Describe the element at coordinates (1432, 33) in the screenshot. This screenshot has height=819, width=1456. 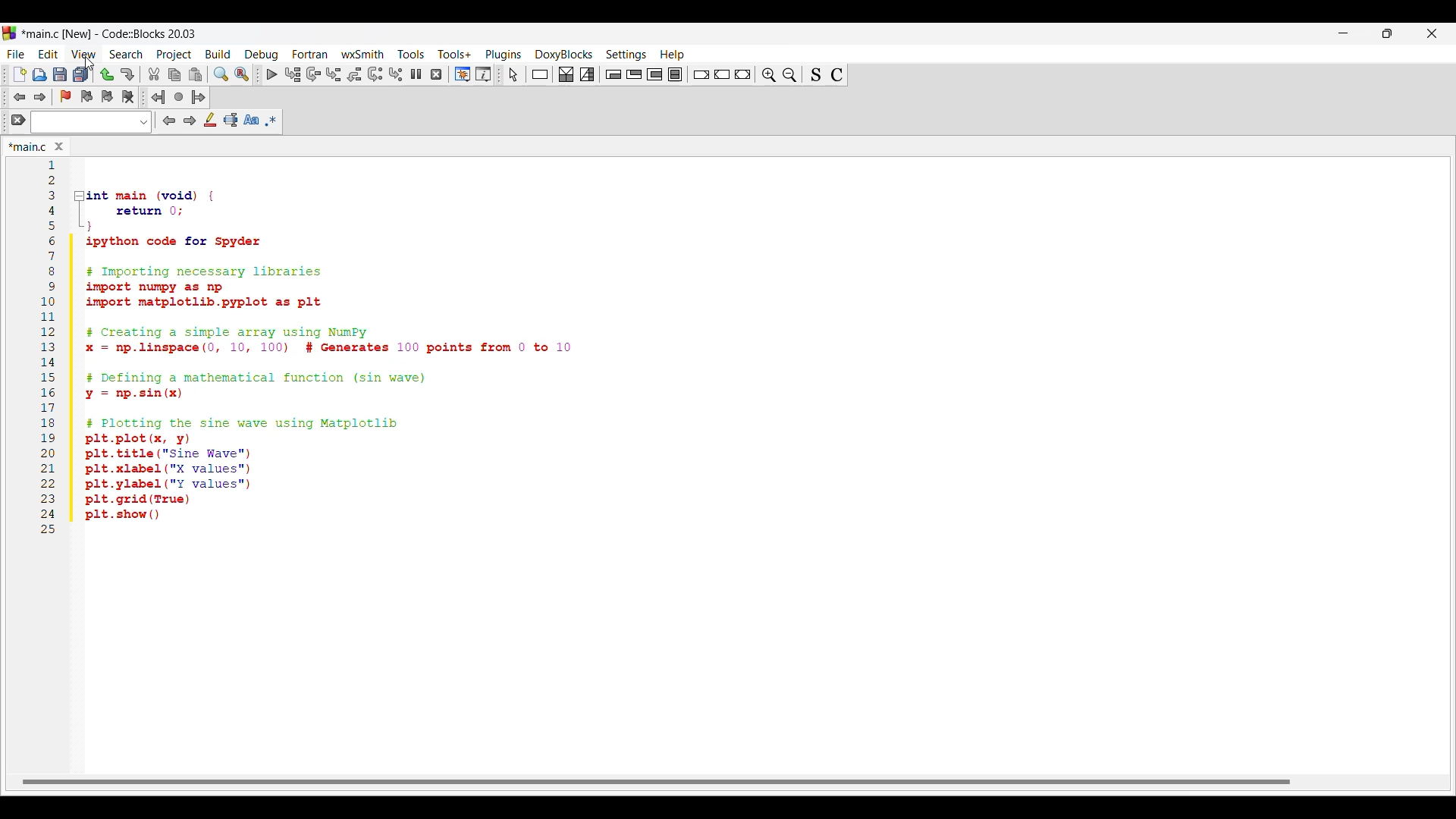
I see `Close interface` at that location.